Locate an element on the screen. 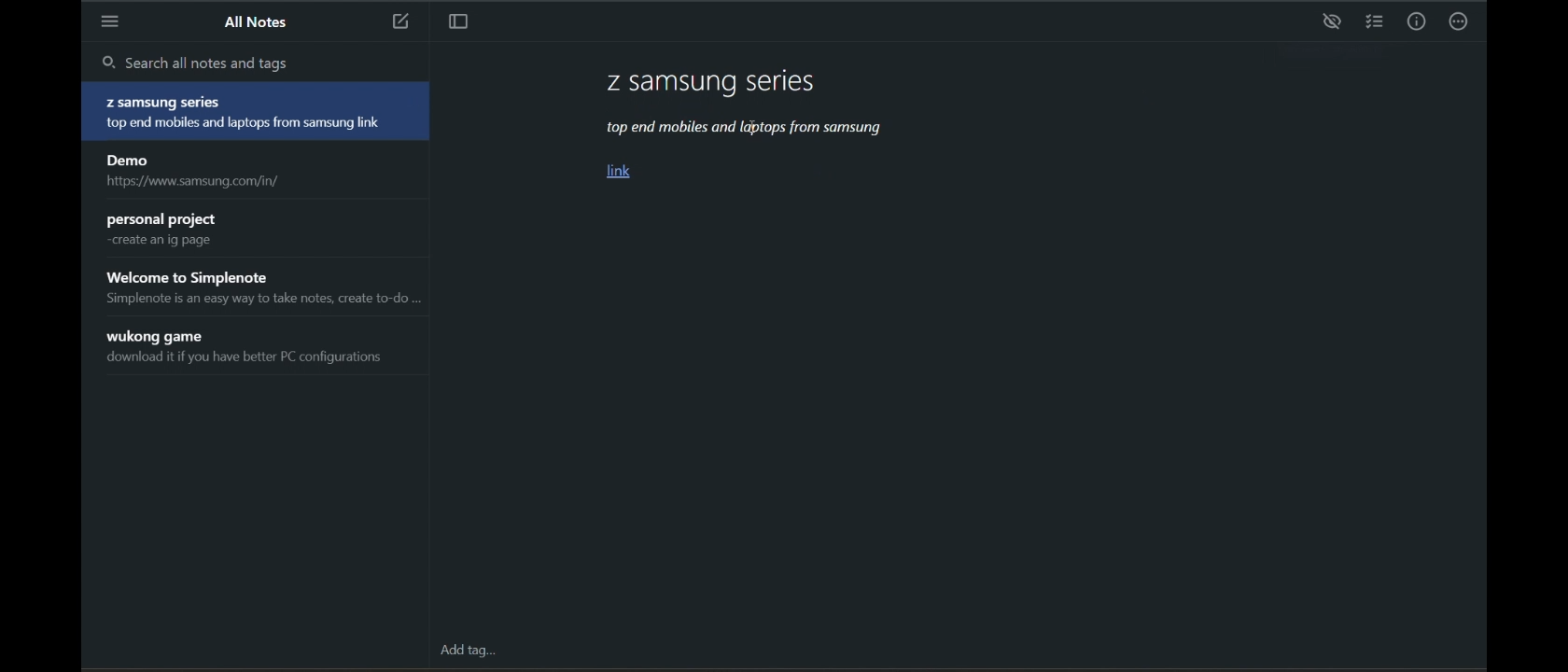 The image size is (1568, 672). menu is located at coordinates (113, 21).